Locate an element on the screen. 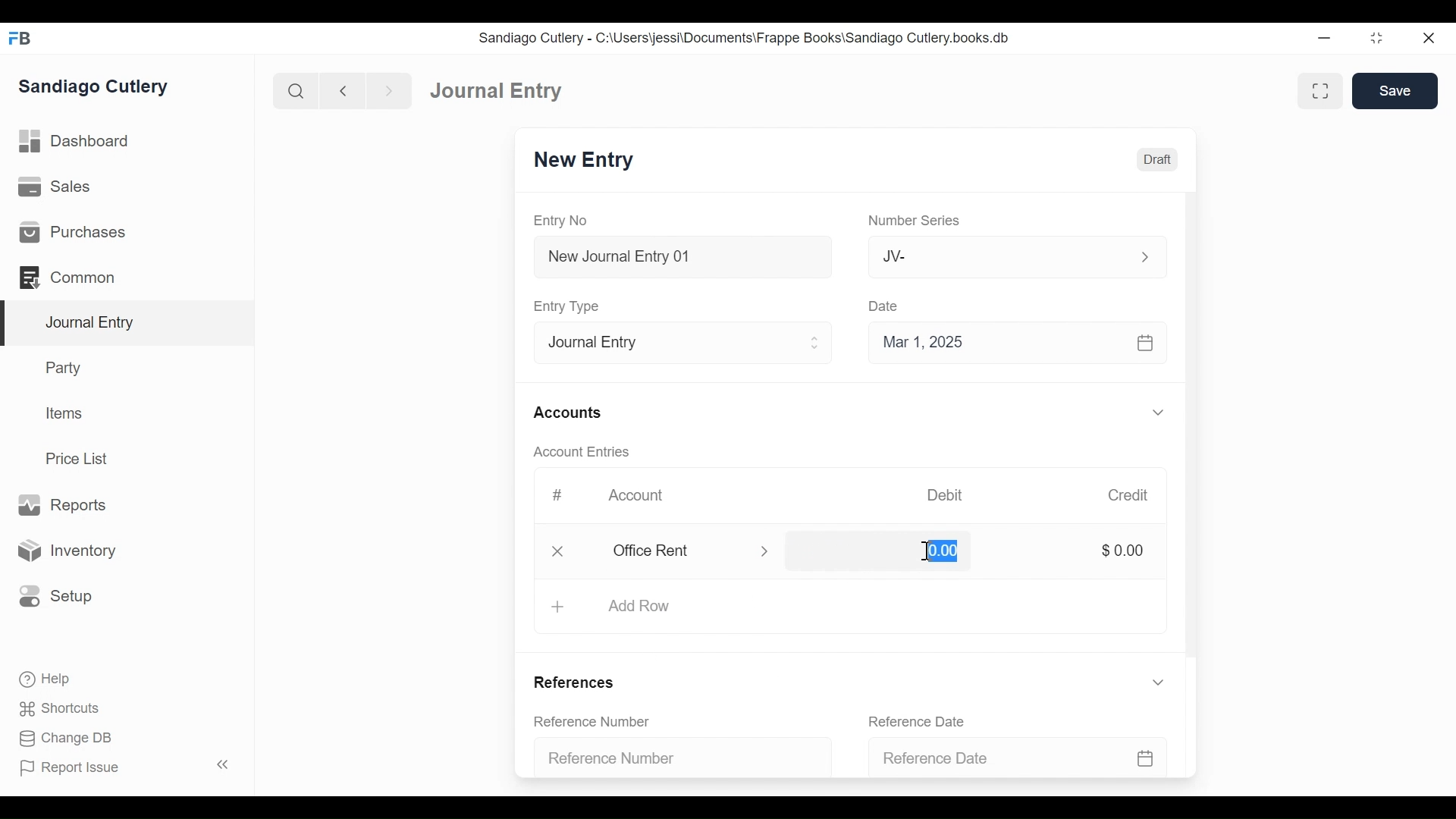 Image resolution: width=1456 pixels, height=819 pixels. New Entry is located at coordinates (585, 161).